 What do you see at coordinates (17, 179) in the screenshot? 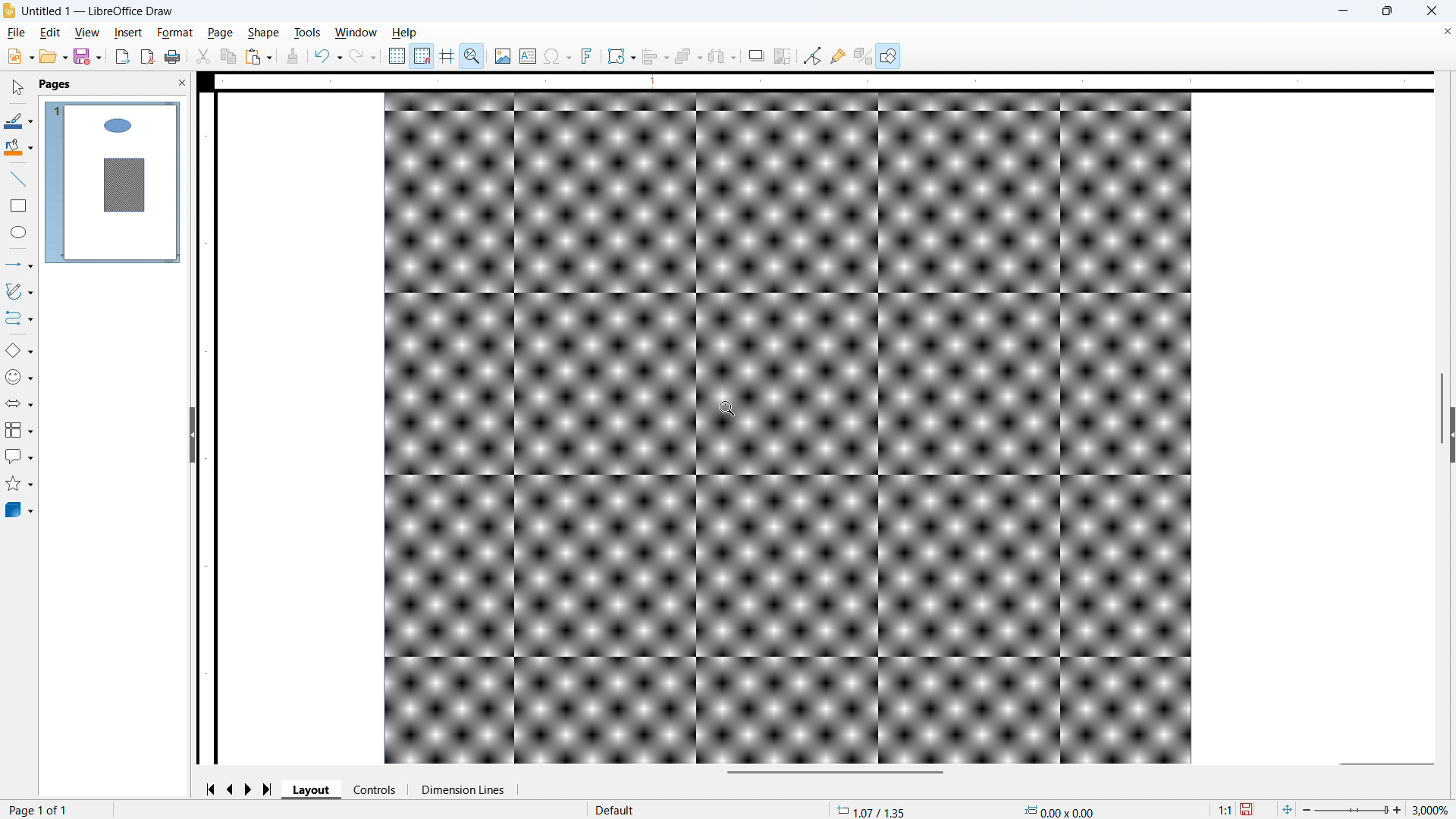
I see `line` at bounding box center [17, 179].